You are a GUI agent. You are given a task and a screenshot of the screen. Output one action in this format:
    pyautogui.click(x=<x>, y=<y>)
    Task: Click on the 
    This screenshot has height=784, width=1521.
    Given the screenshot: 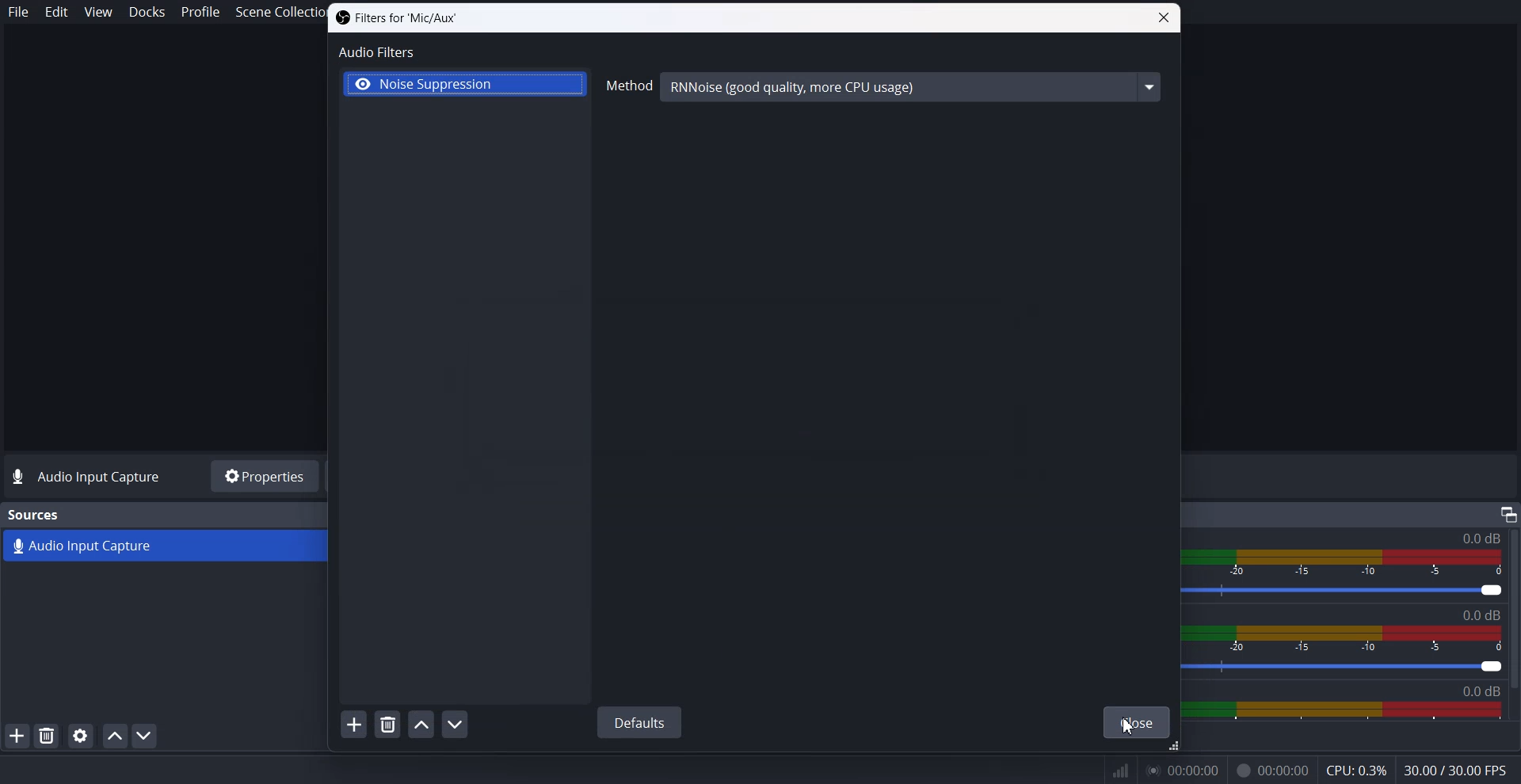 What is the action you would take?
    pyautogui.click(x=1508, y=513)
    